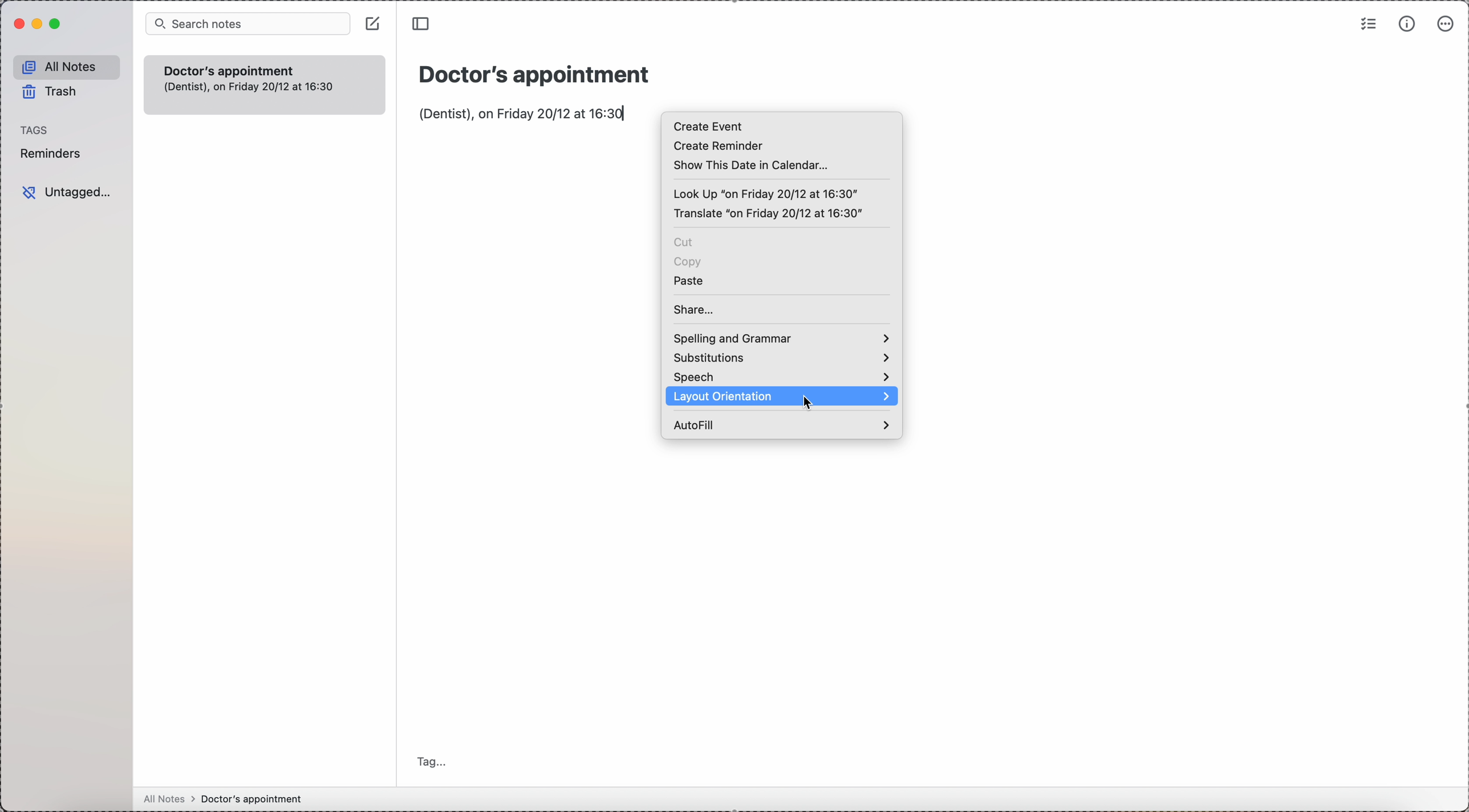 This screenshot has height=812, width=1469. I want to click on all notes, so click(66, 65).